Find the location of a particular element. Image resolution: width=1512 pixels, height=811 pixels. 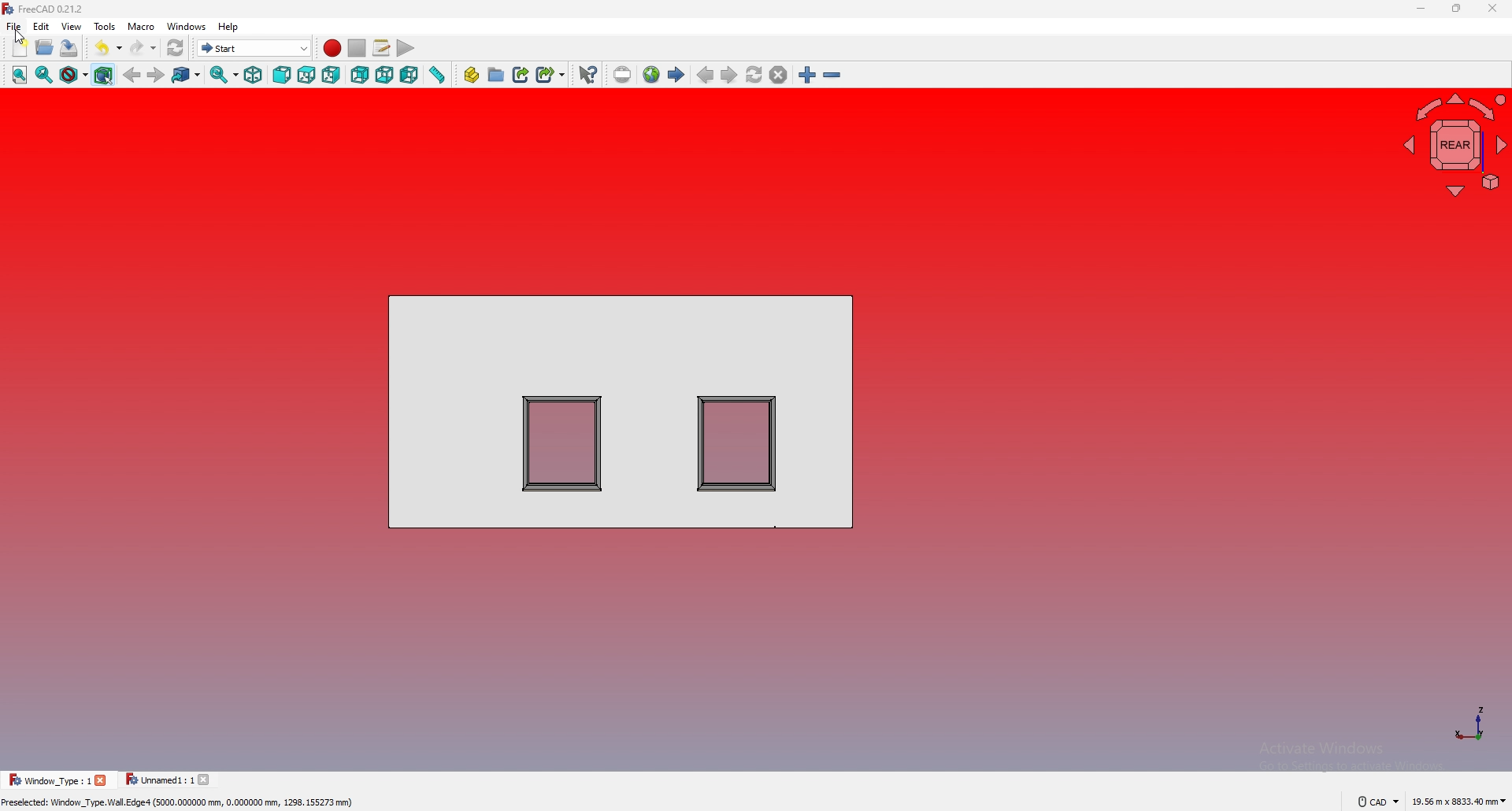

close is located at coordinates (1492, 9).